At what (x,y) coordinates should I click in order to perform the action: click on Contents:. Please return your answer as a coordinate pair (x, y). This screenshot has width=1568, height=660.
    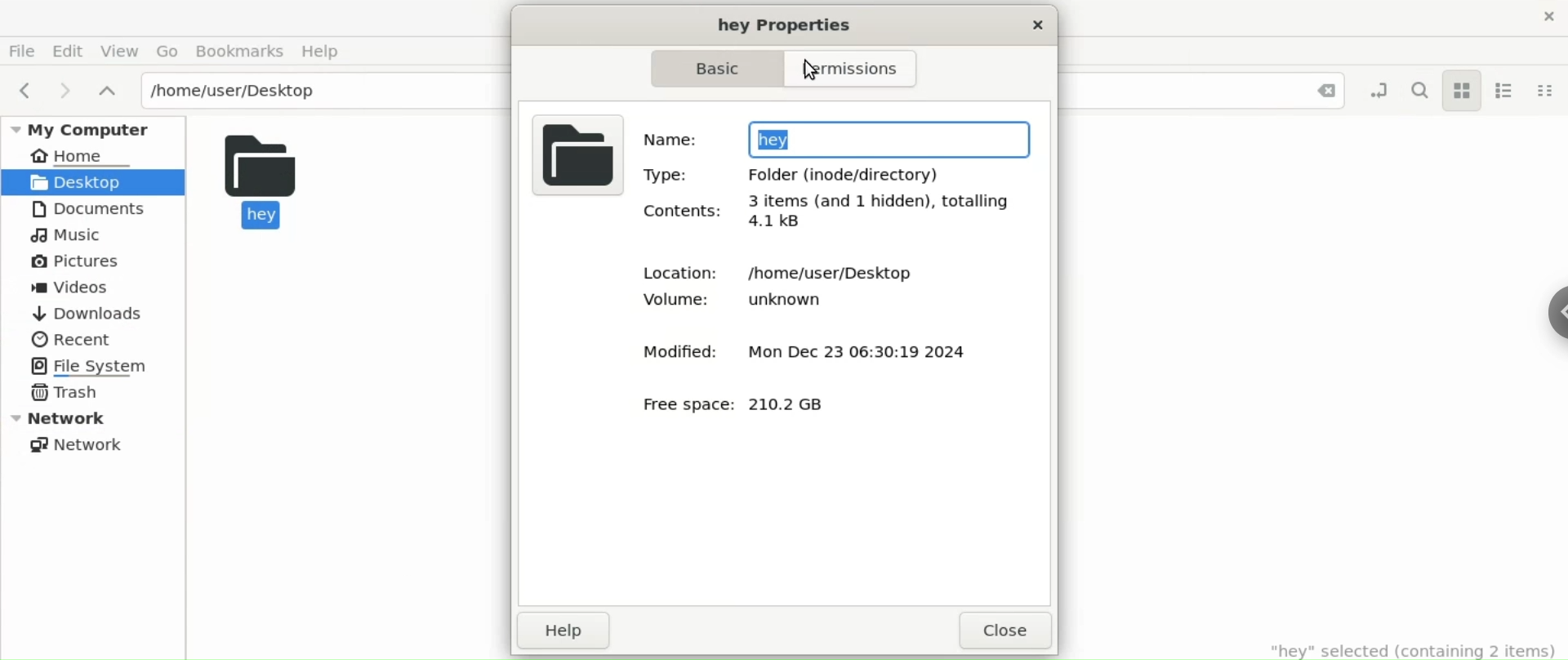
    Looking at the image, I should click on (685, 214).